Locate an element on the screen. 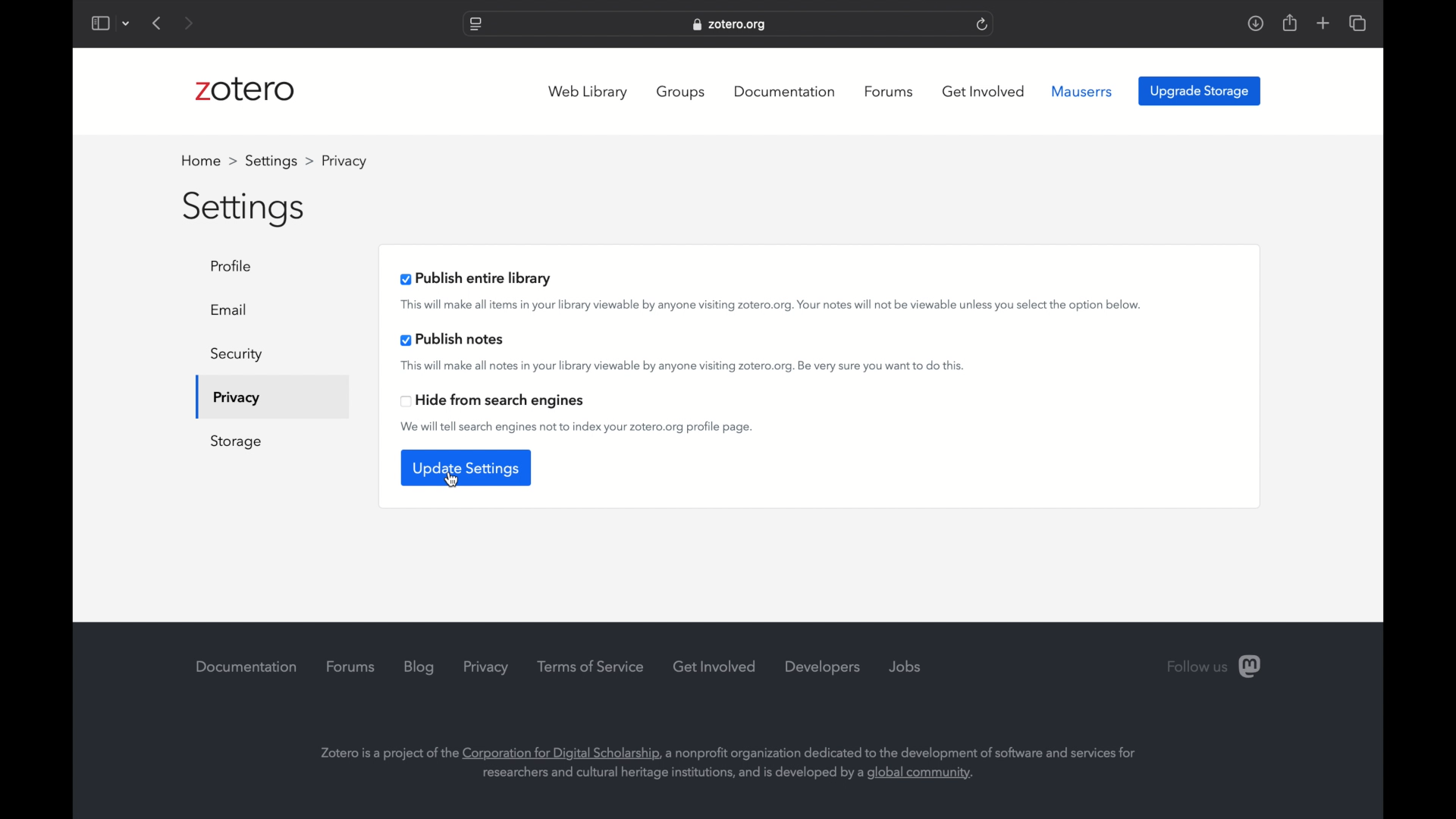 The height and width of the screenshot is (819, 1456). show sidebar is located at coordinates (101, 23).